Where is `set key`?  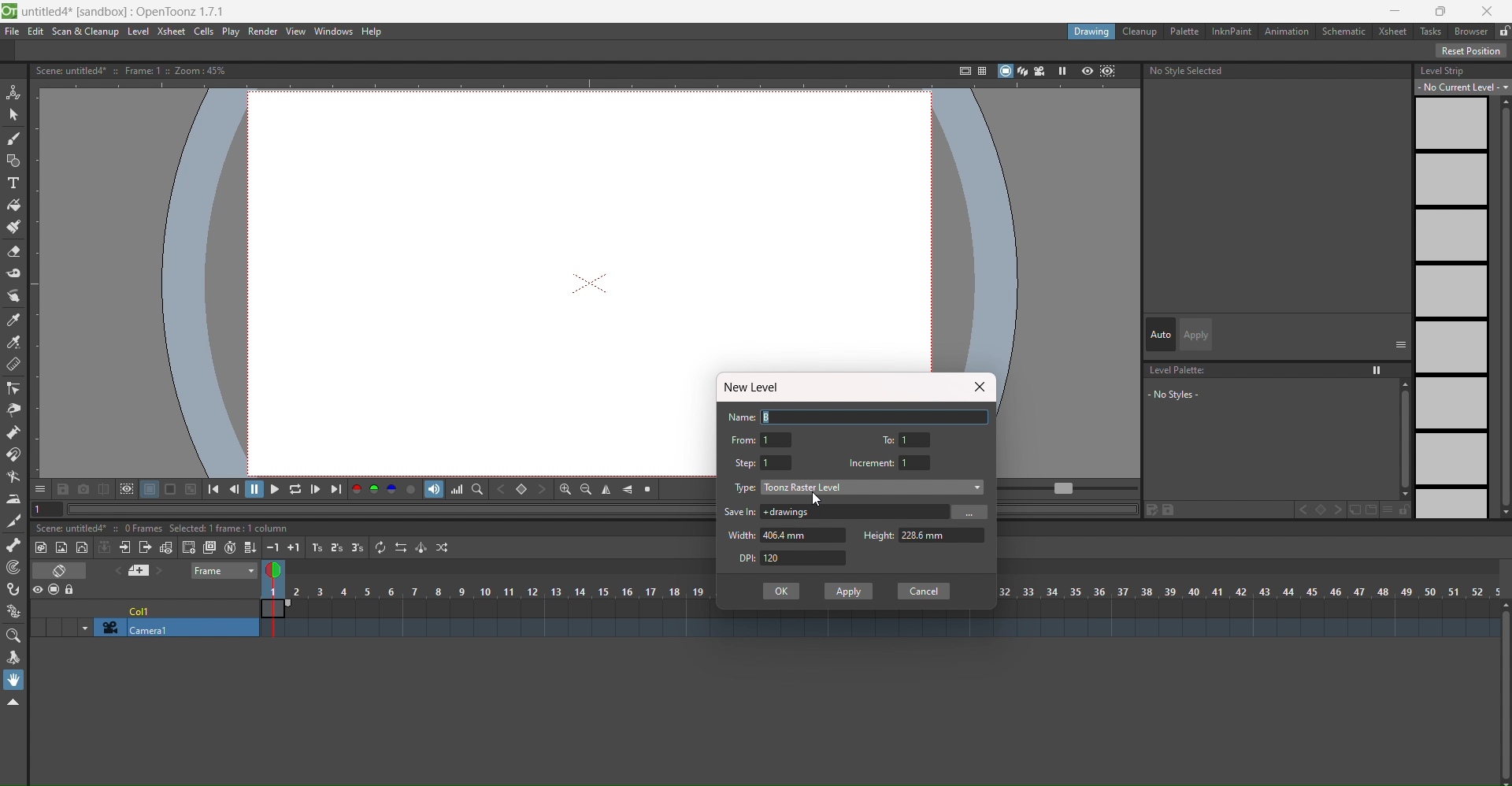 set key is located at coordinates (1320, 510).